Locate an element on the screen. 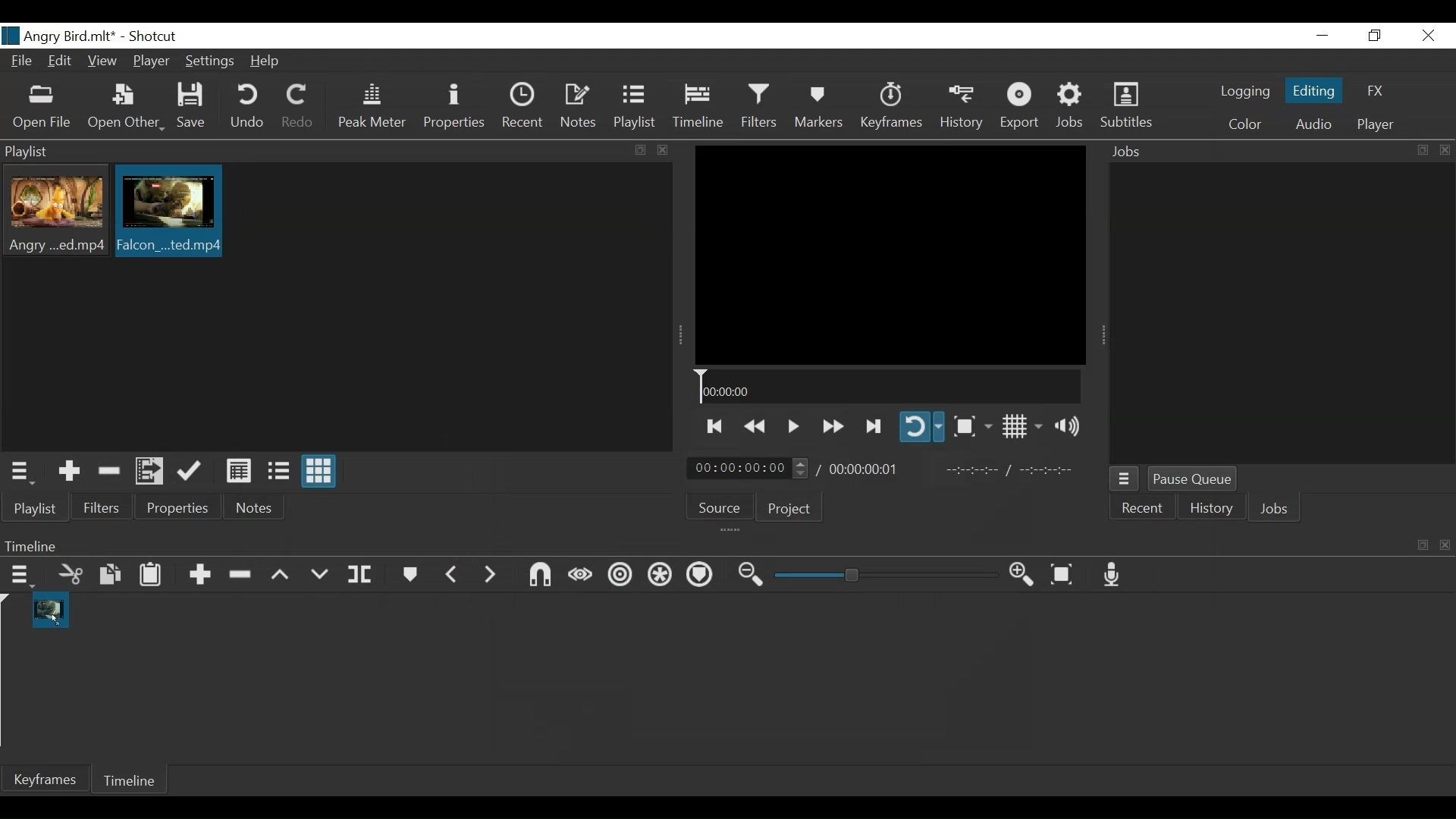 This screenshot has height=819, width=1456. Previous marker is located at coordinates (452, 574).